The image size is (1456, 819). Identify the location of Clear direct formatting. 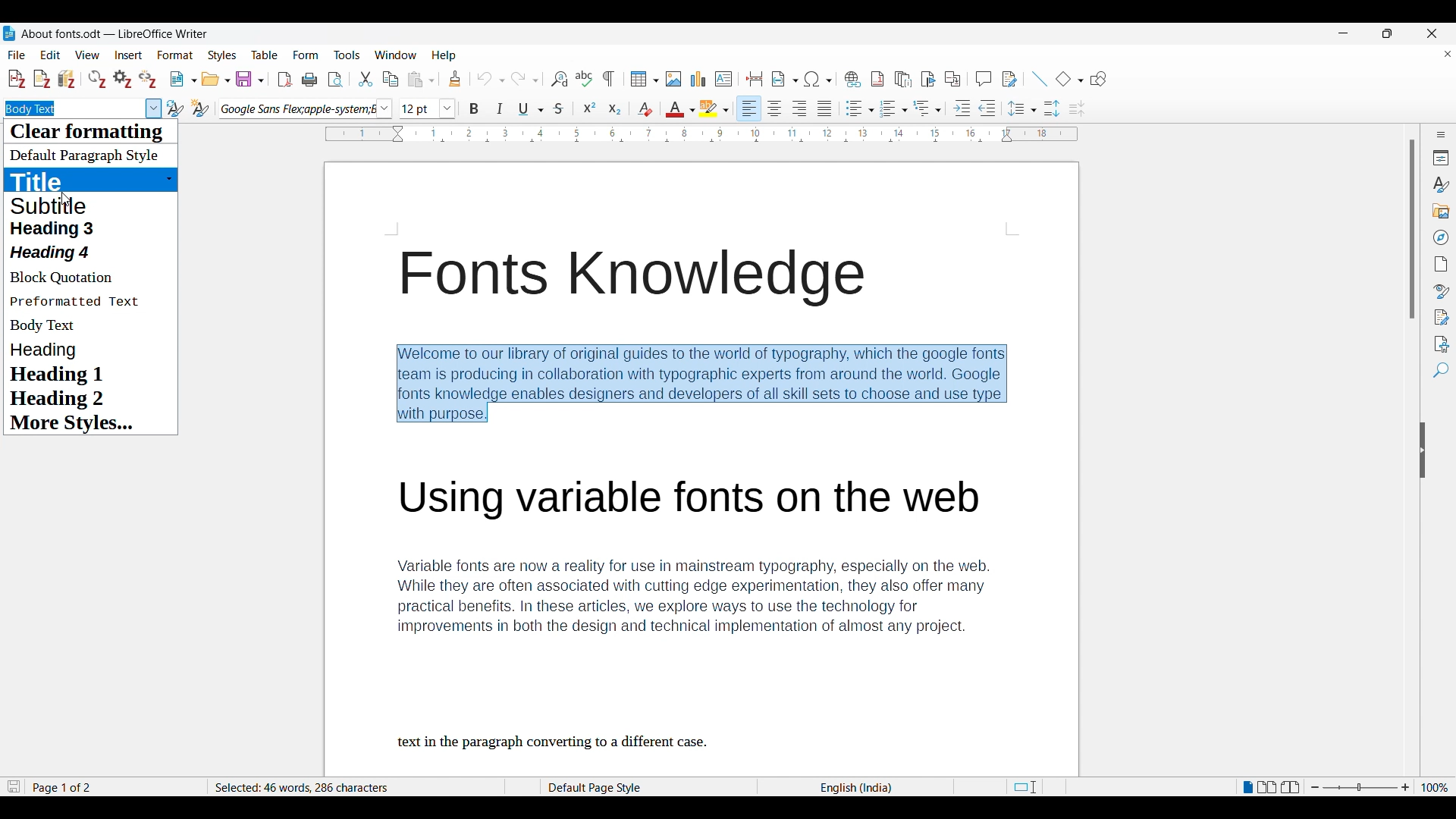
(645, 109).